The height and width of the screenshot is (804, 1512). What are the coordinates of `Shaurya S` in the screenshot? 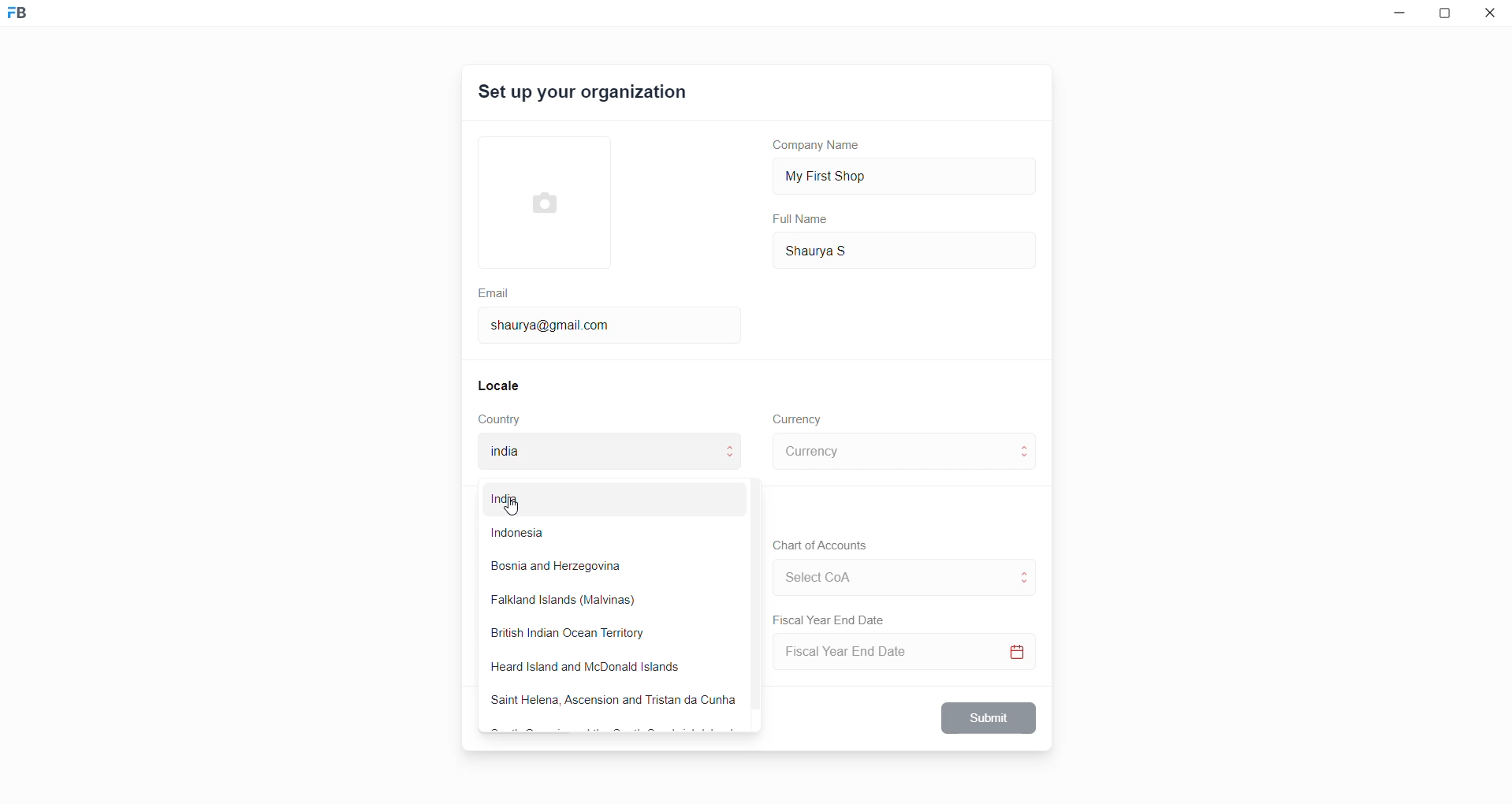 It's located at (840, 249).